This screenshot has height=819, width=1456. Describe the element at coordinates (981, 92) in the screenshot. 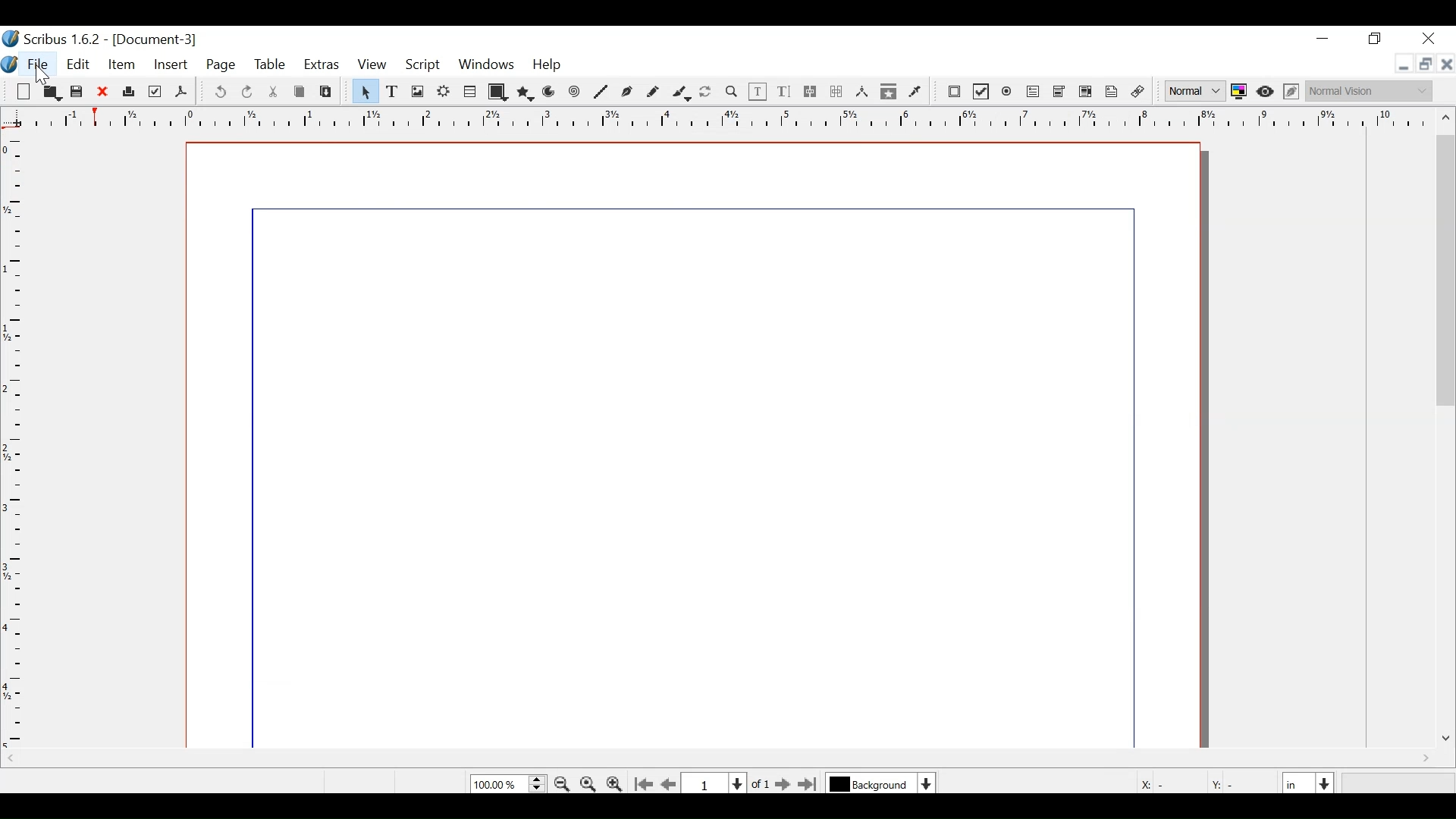

I see `PDF Check Box` at that location.